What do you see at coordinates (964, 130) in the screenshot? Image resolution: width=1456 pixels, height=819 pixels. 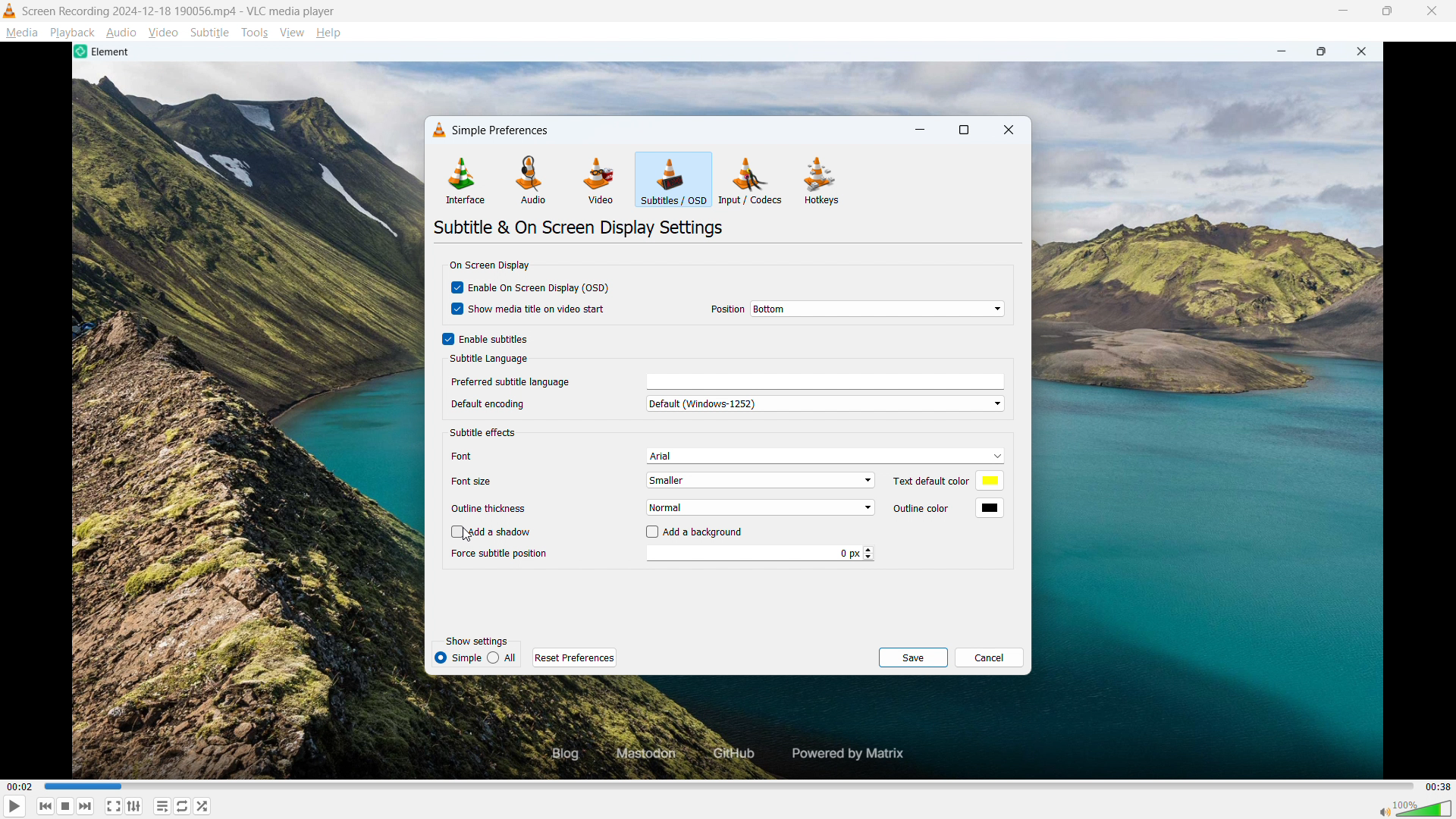 I see `Maximise dialogue box ` at bounding box center [964, 130].